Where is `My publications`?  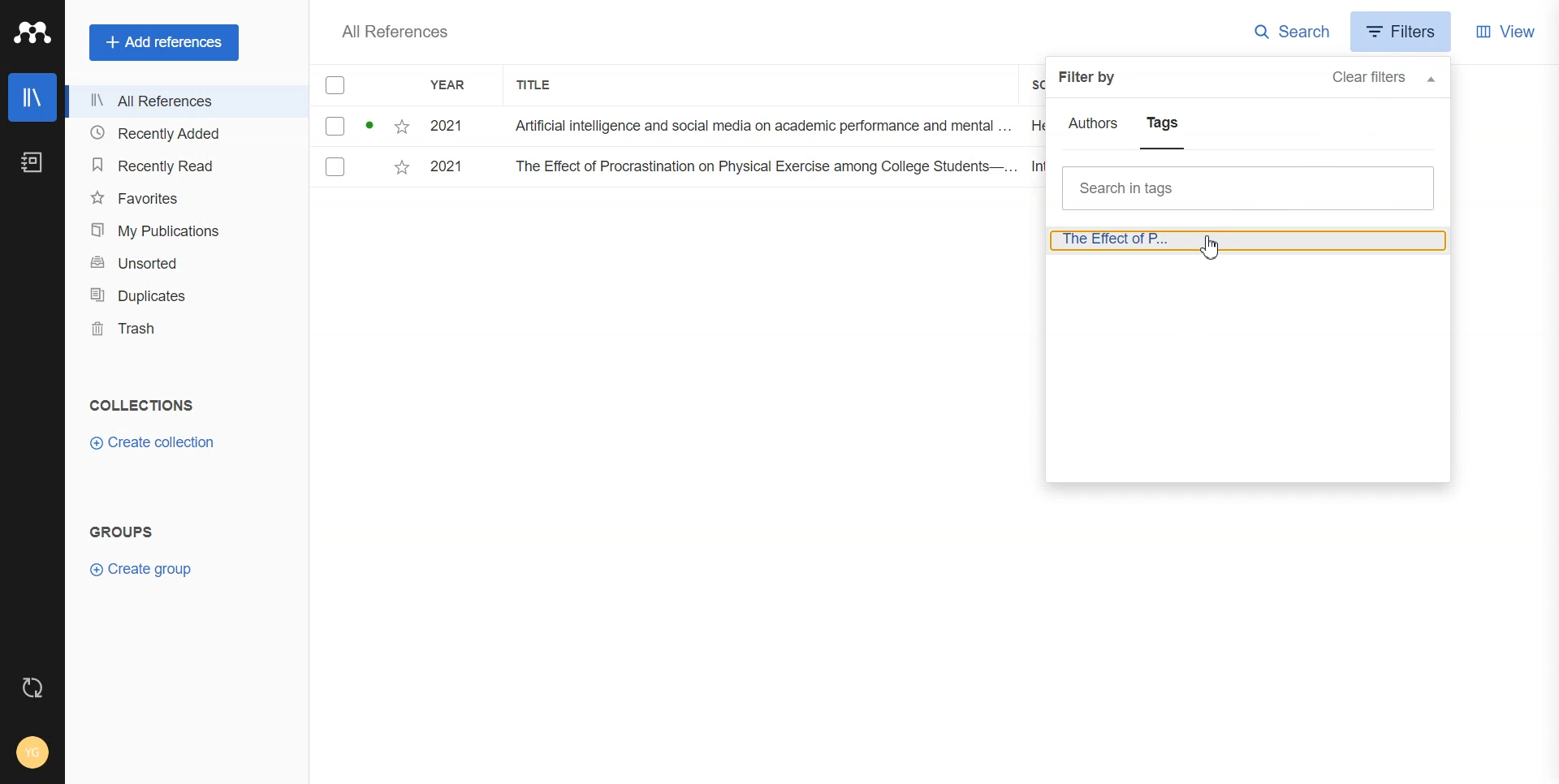
My publications is located at coordinates (177, 231).